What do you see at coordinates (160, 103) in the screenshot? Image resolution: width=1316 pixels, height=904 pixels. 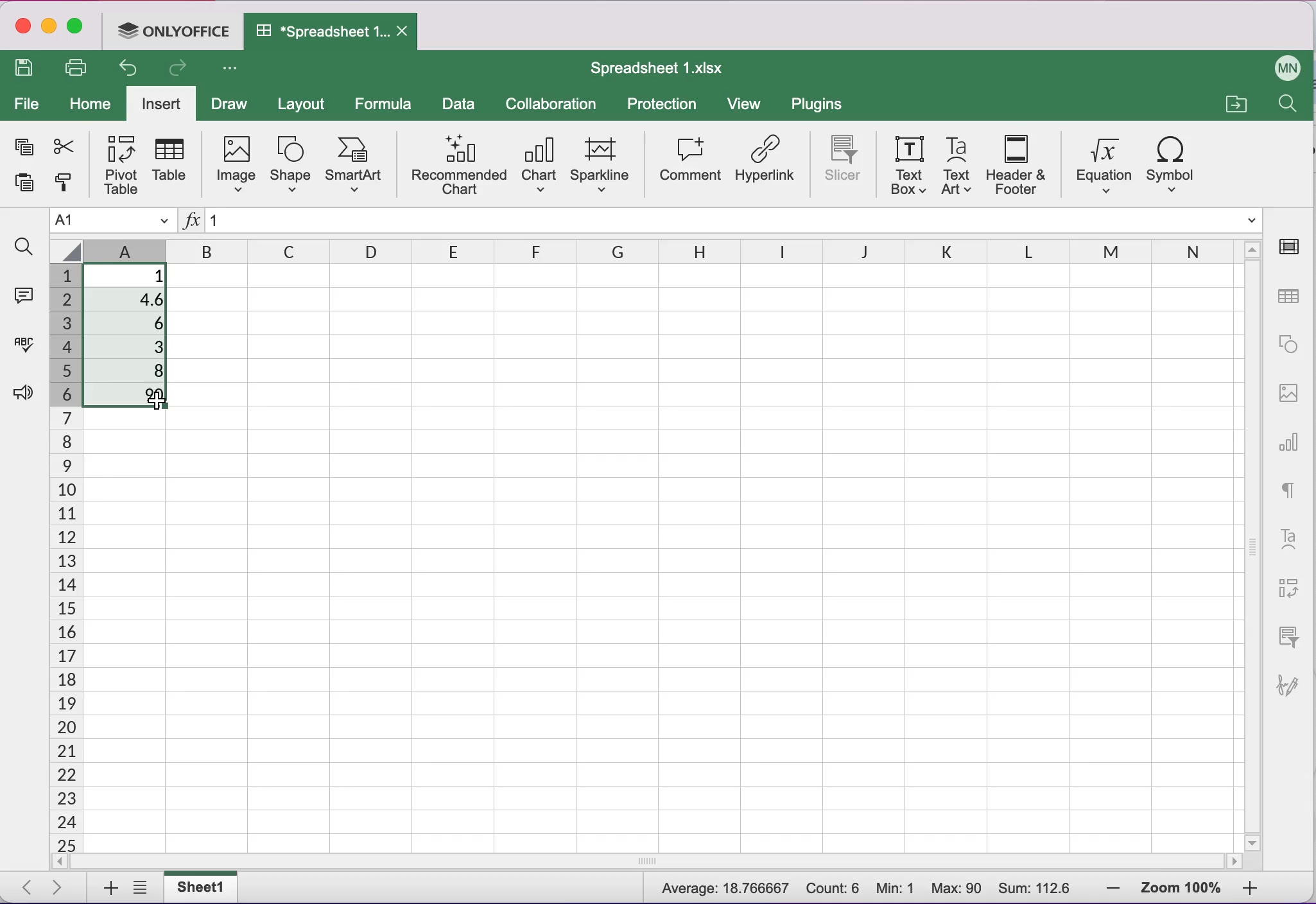 I see `insert` at bounding box center [160, 103].